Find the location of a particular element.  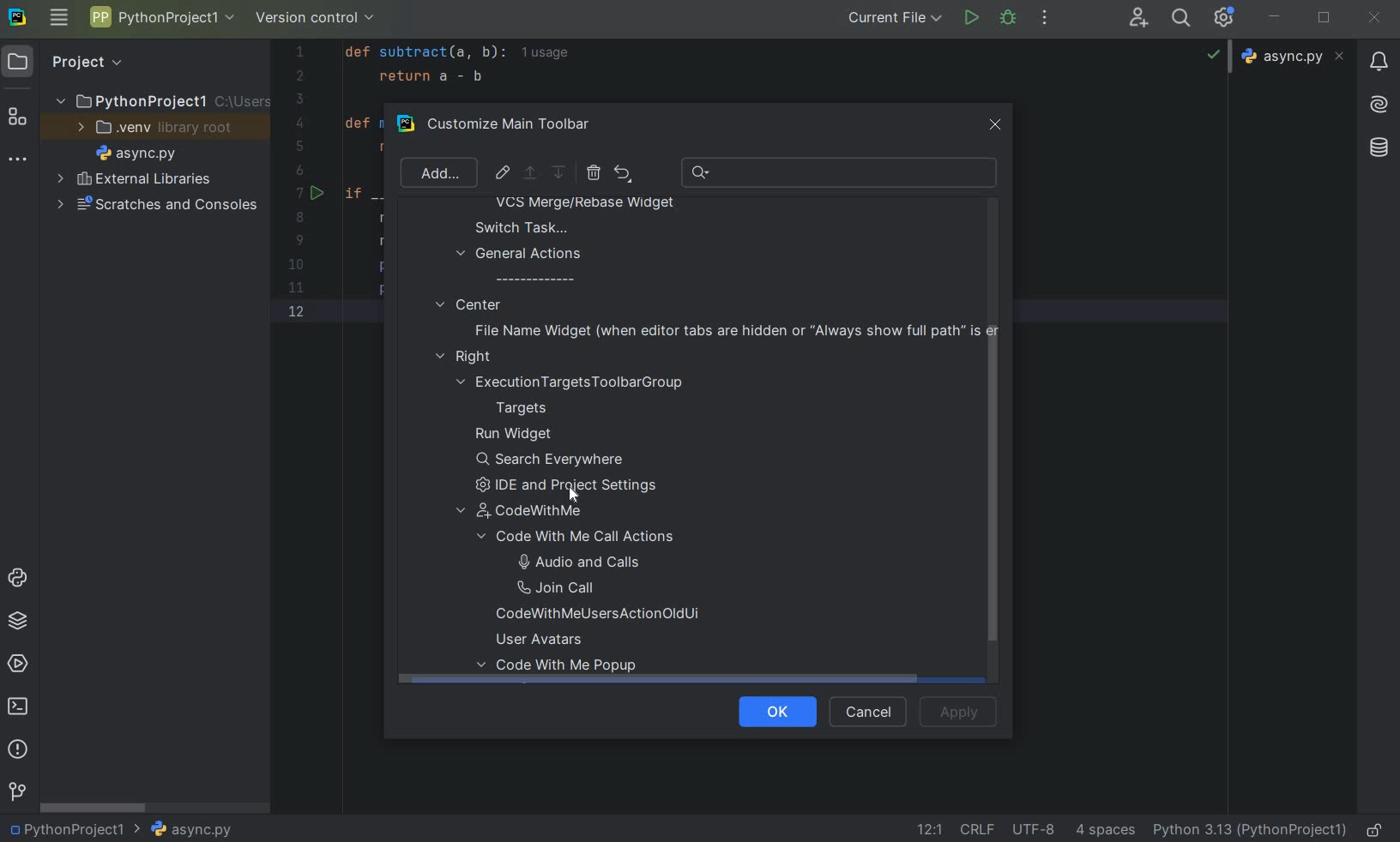

ide and project settings is located at coordinates (574, 486).